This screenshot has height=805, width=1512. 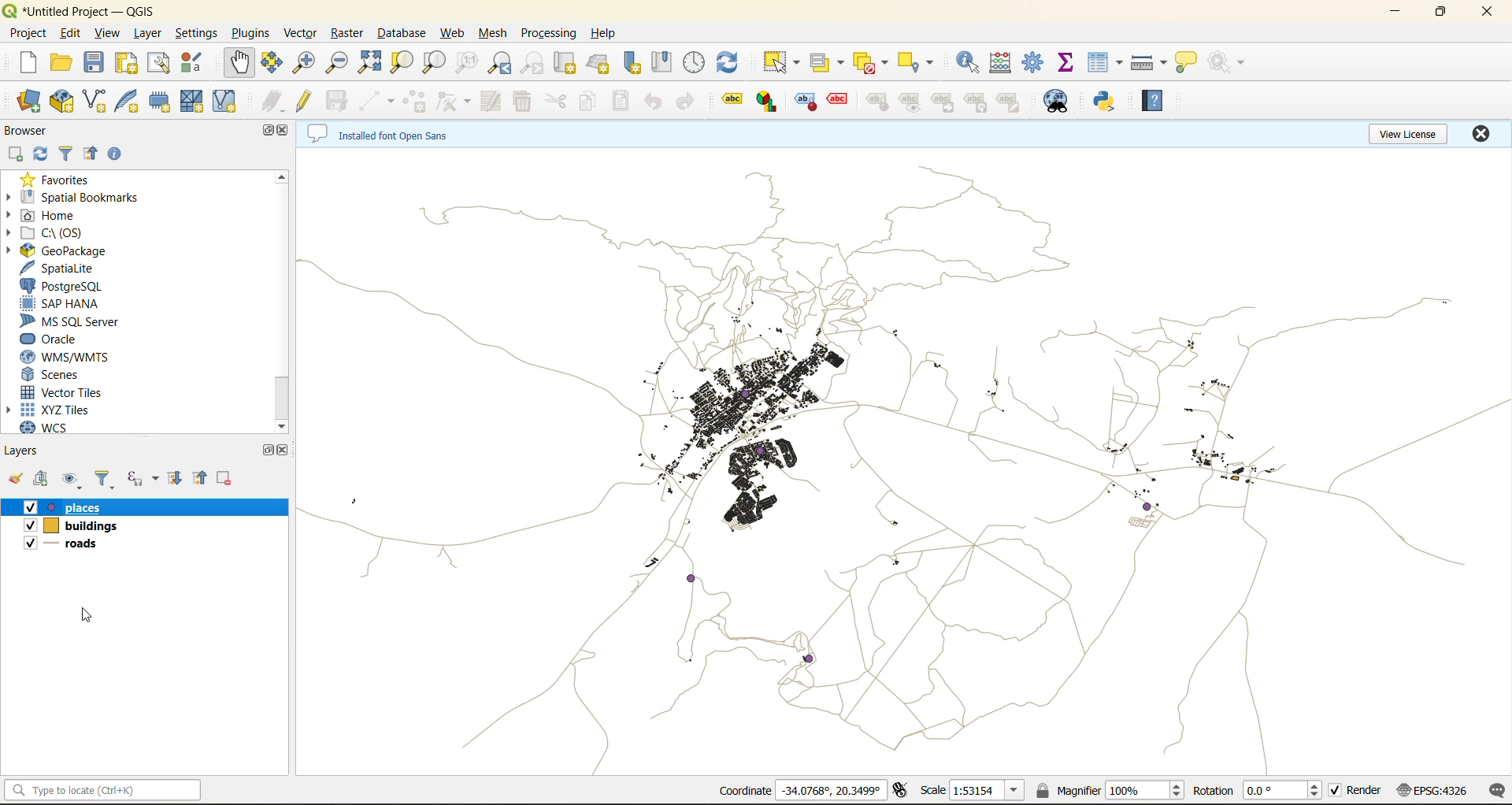 I want to click on new mesh layer, so click(x=195, y=103).